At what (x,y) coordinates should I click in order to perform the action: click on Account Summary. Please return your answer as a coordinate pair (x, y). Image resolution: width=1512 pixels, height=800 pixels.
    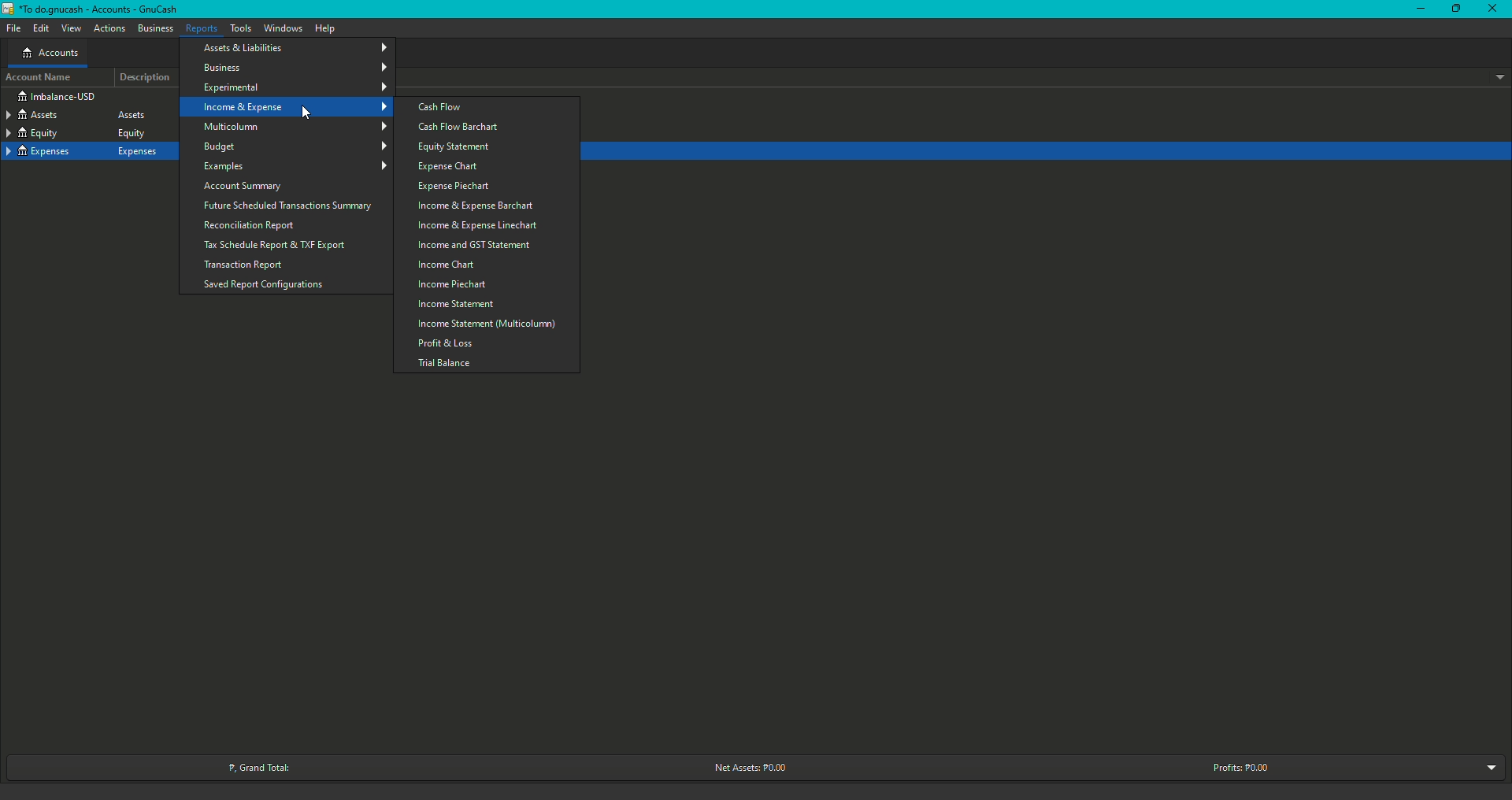
    Looking at the image, I should click on (245, 186).